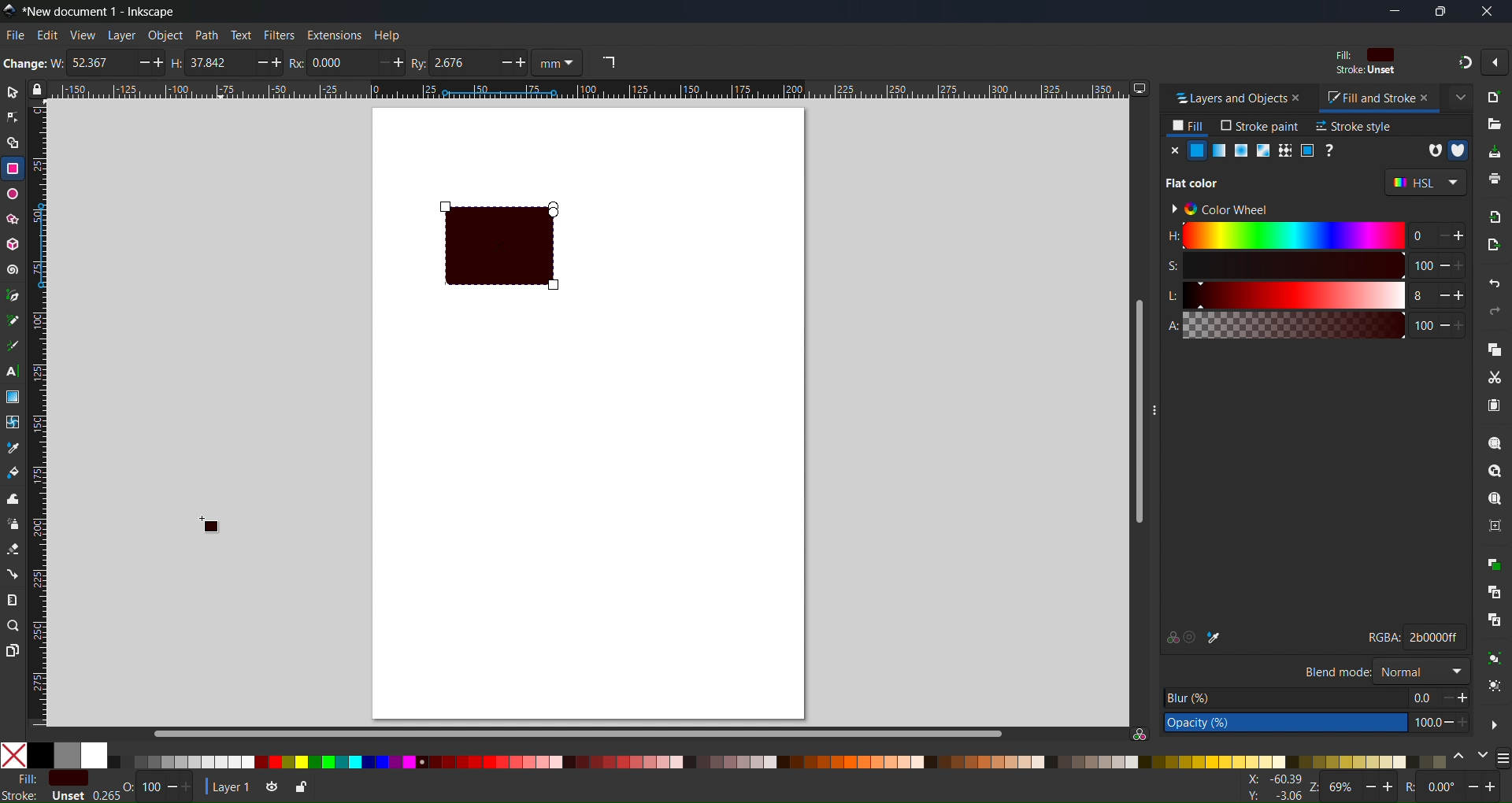  What do you see at coordinates (13, 372) in the screenshot?
I see `Text tool` at bounding box center [13, 372].